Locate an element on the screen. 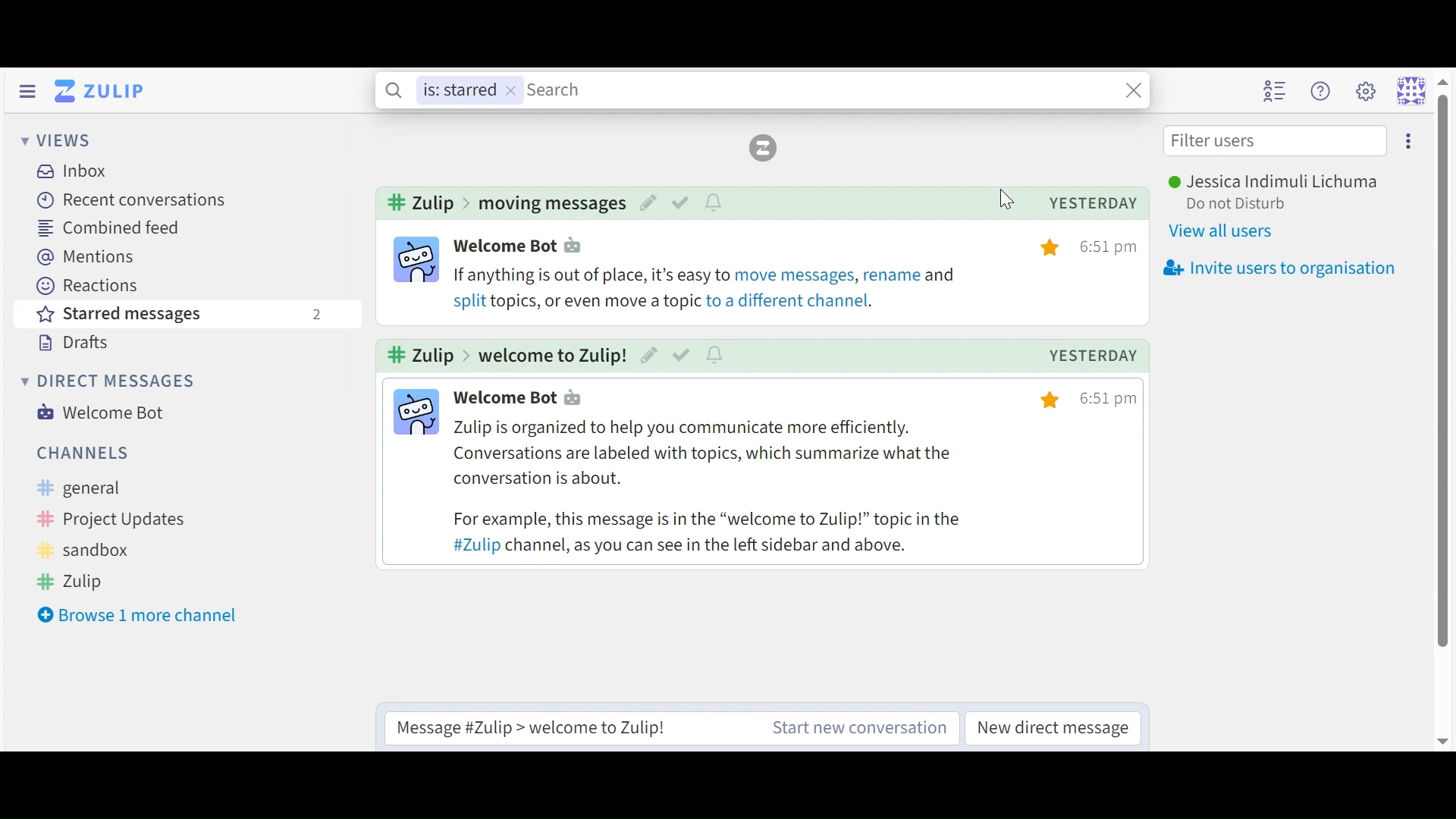 The image size is (1456, 819). Search is located at coordinates (1129, 90).